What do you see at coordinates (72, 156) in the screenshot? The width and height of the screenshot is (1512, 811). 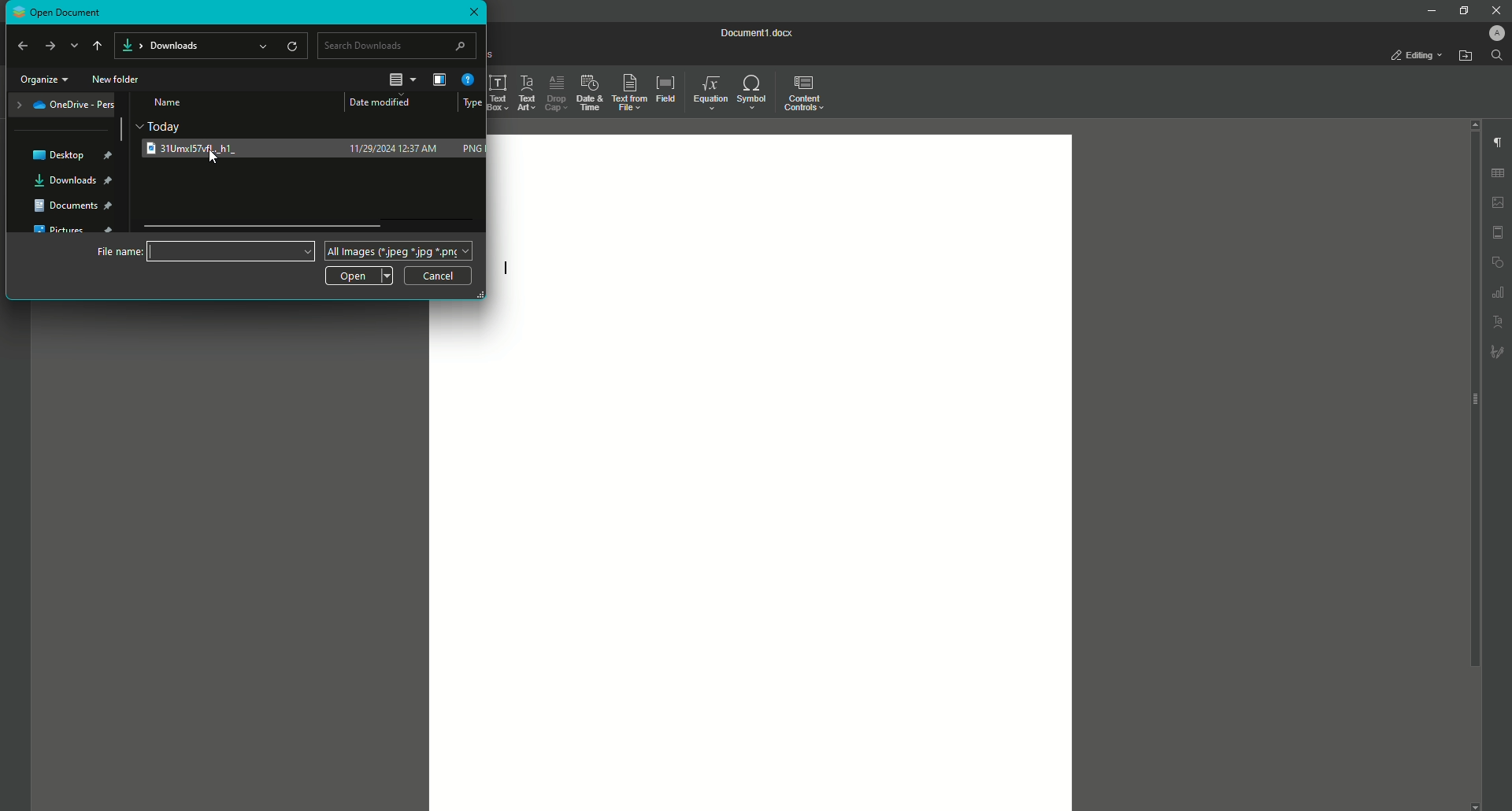 I see `Desktop` at bounding box center [72, 156].